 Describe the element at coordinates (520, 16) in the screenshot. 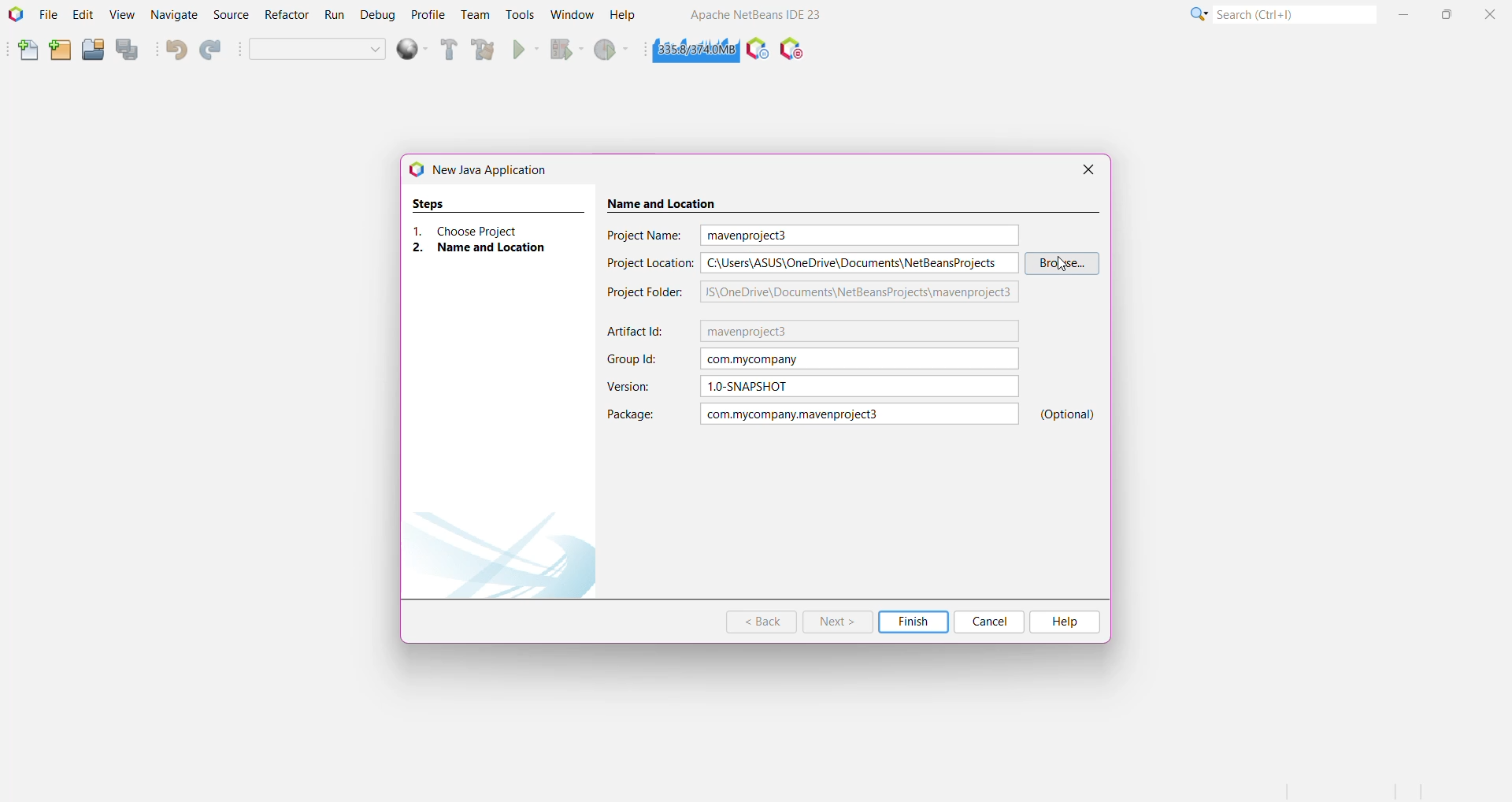

I see `Tools` at that location.